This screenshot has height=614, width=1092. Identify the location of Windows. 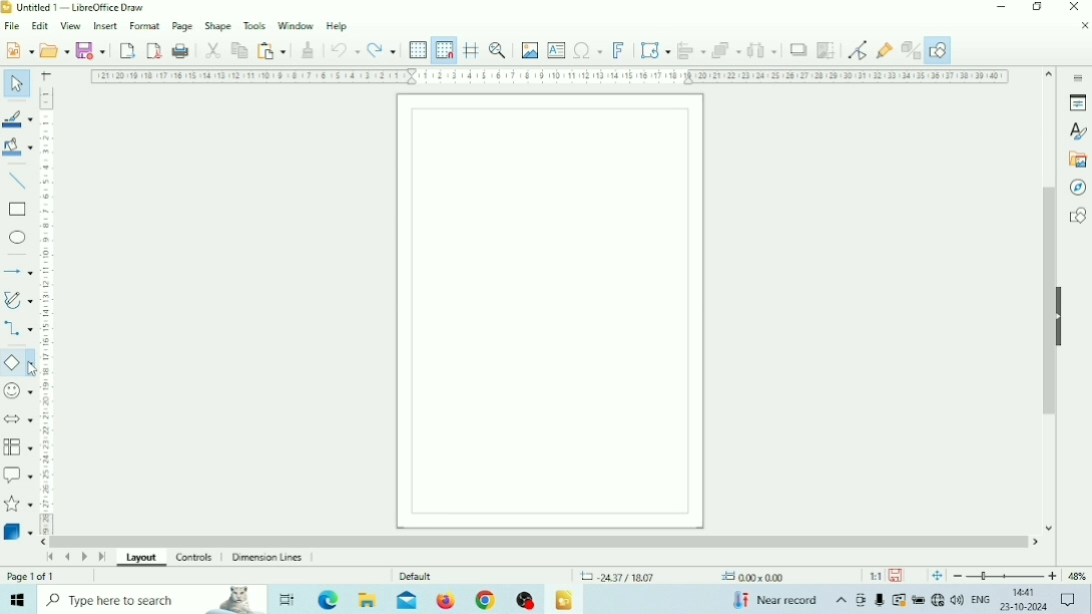
(18, 599).